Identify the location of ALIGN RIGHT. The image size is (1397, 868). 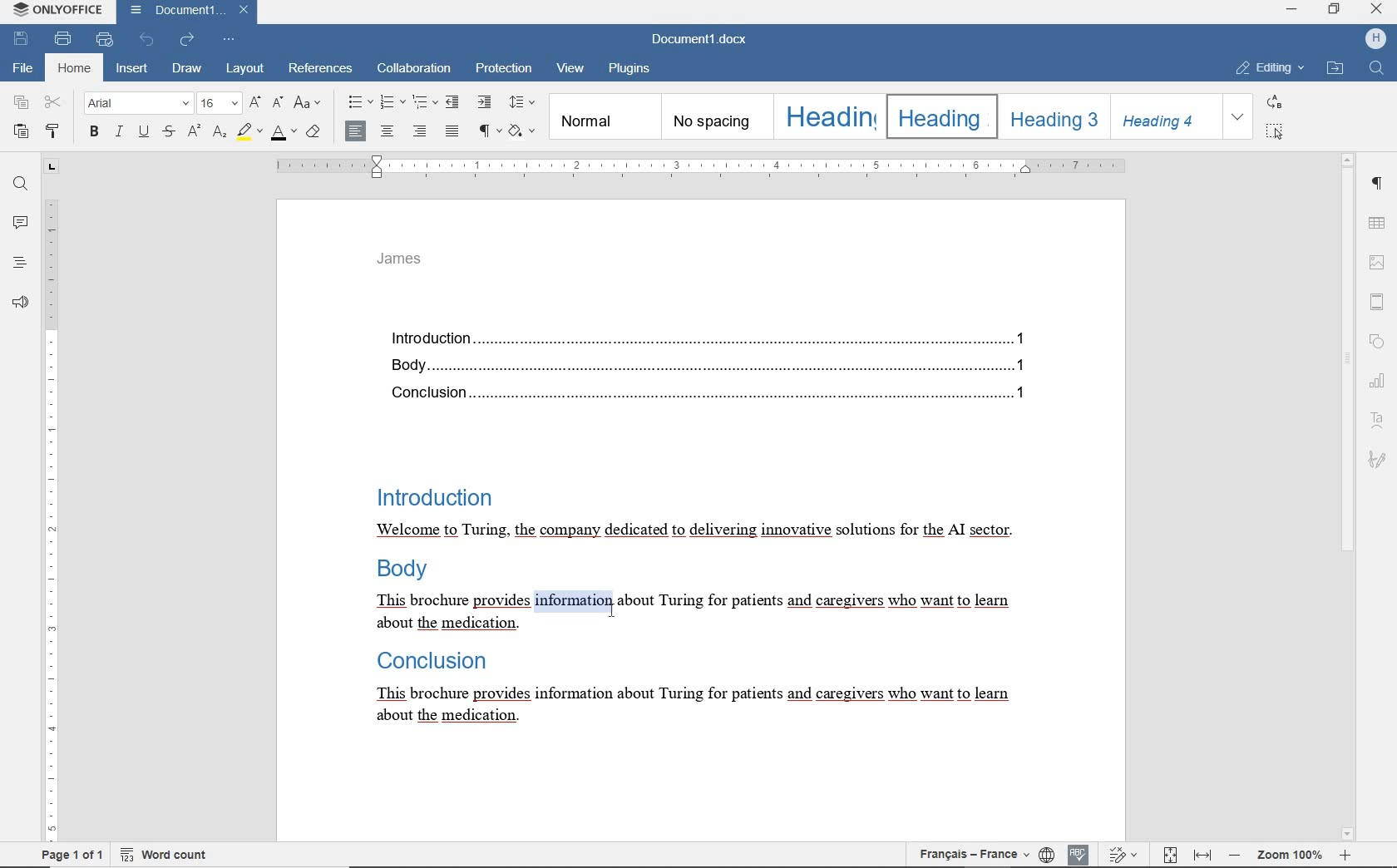
(421, 131).